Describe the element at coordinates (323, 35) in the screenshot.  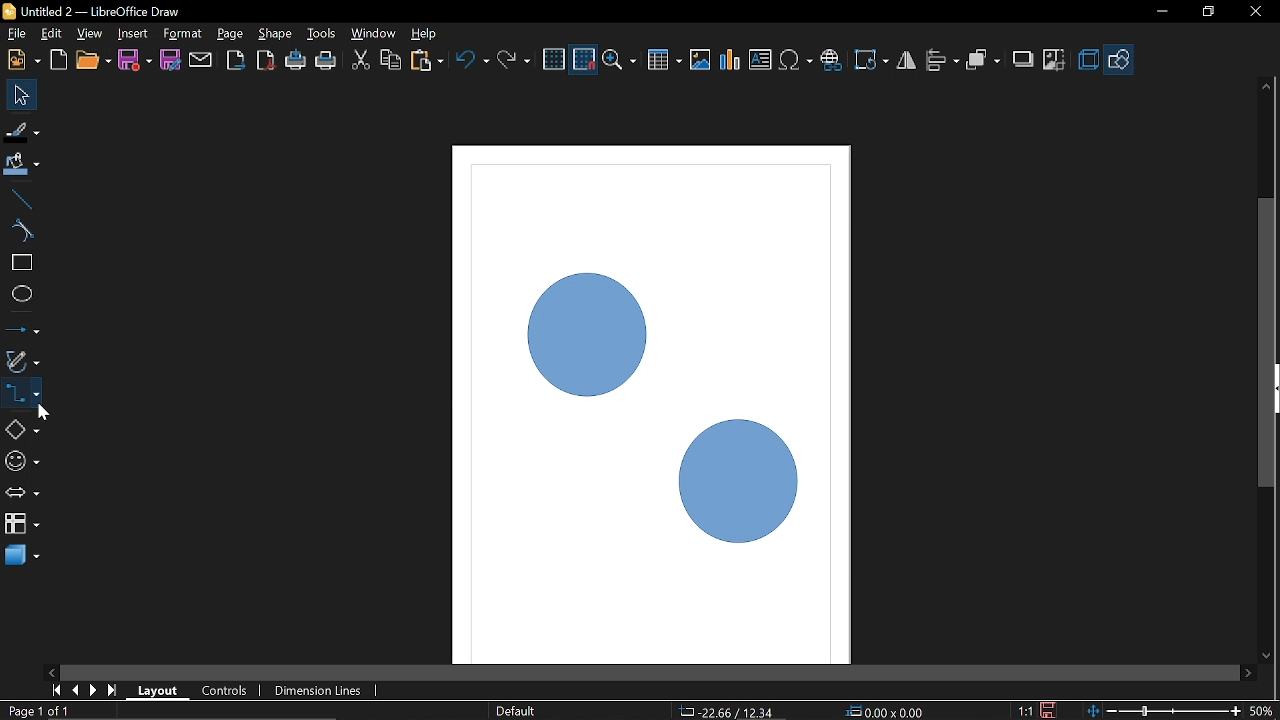
I see `Tools` at that location.